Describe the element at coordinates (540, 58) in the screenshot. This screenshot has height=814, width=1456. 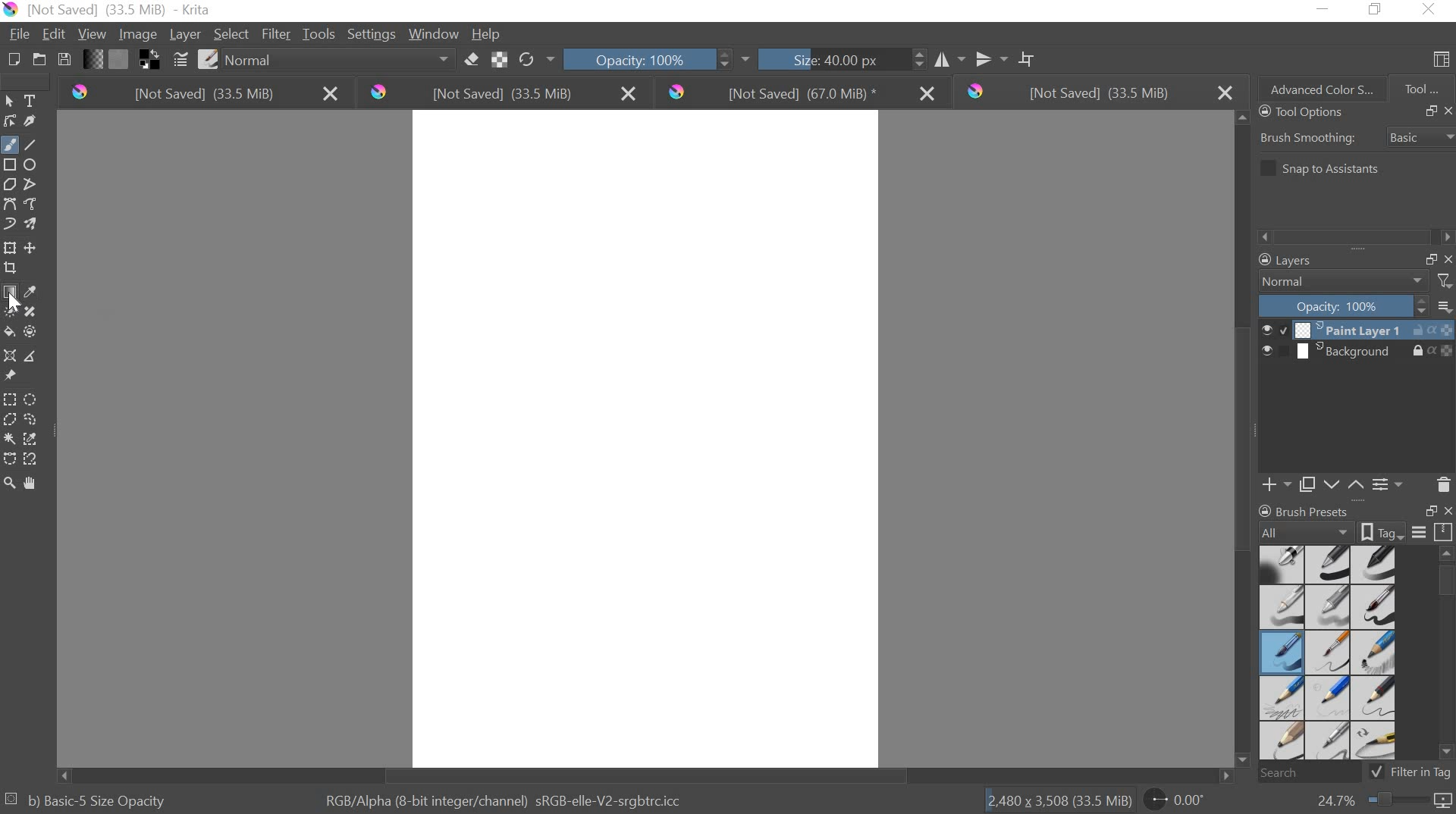
I see `RELOAD ORIGINAL PRESET` at that location.